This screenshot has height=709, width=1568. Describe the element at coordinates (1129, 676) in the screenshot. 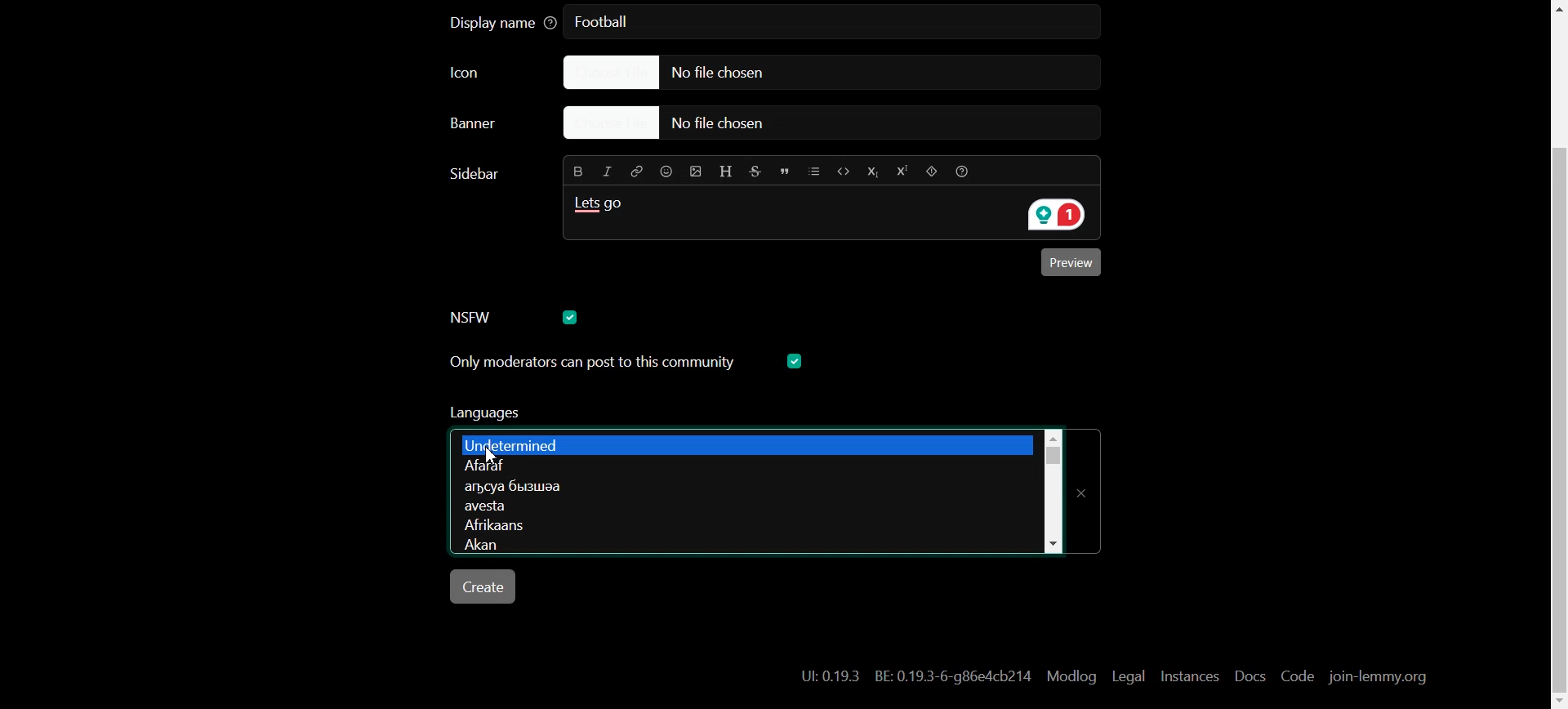

I see `Legal` at that location.